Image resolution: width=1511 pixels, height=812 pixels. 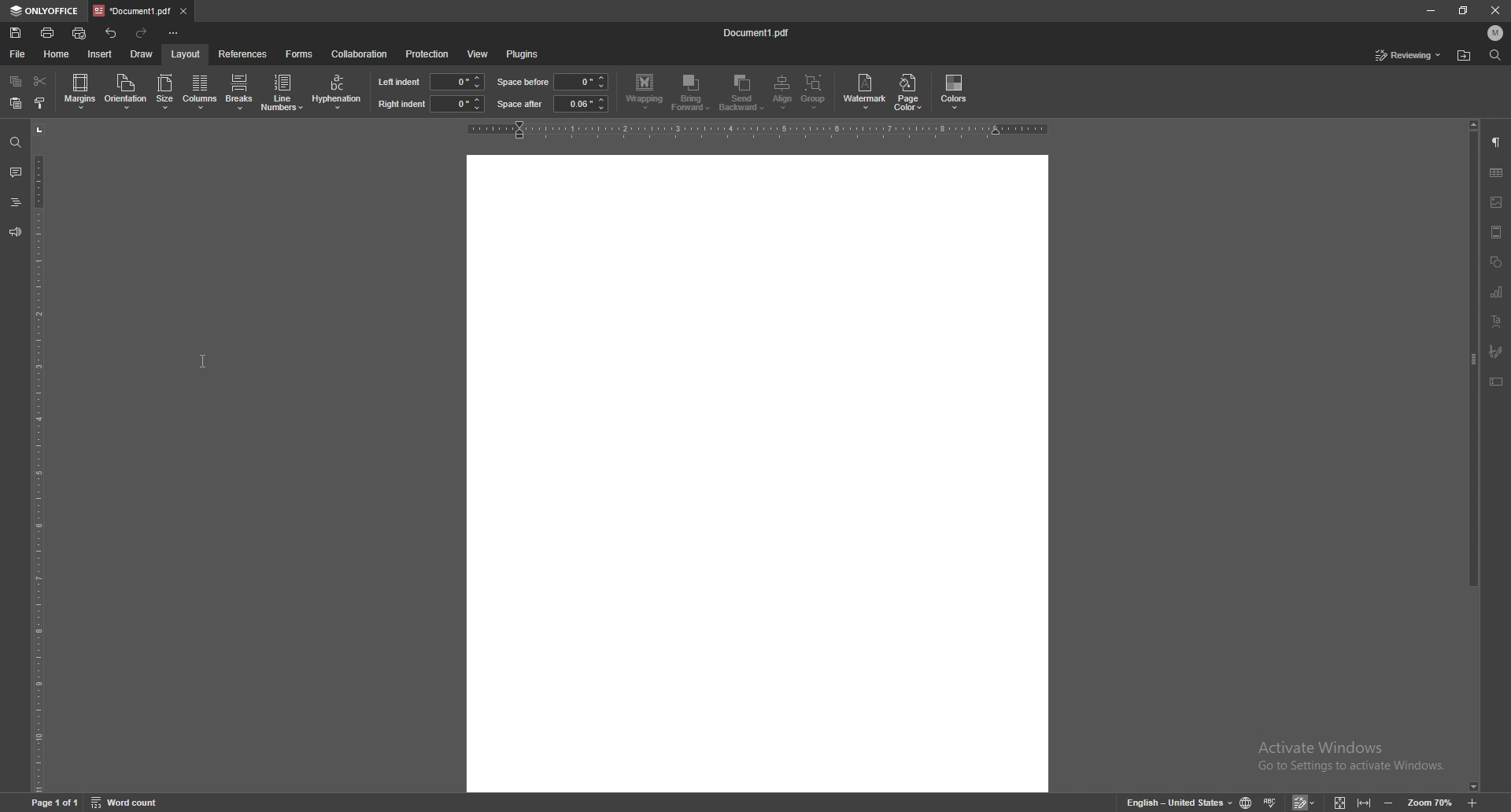 I want to click on file, so click(x=17, y=54).